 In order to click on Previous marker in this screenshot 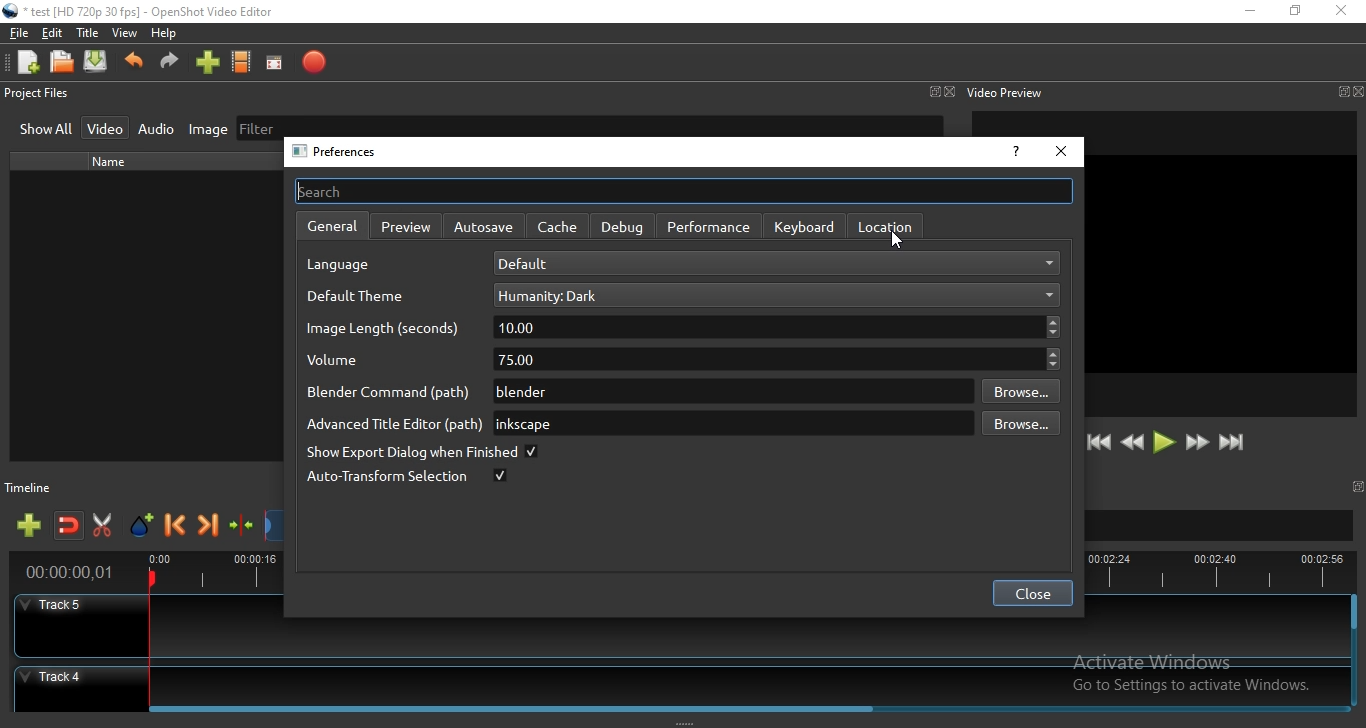, I will do `click(176, 527)`.